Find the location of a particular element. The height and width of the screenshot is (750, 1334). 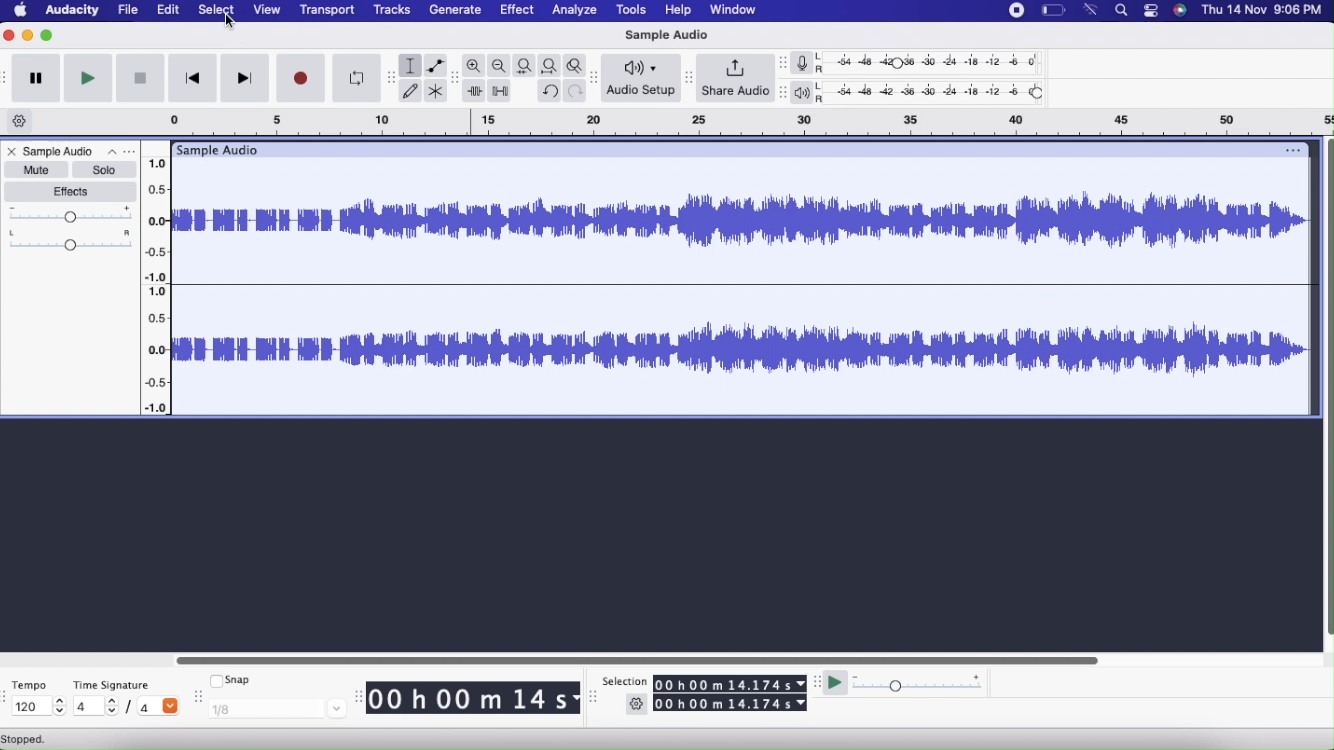

Audacity is located at coordinates (72, 10).